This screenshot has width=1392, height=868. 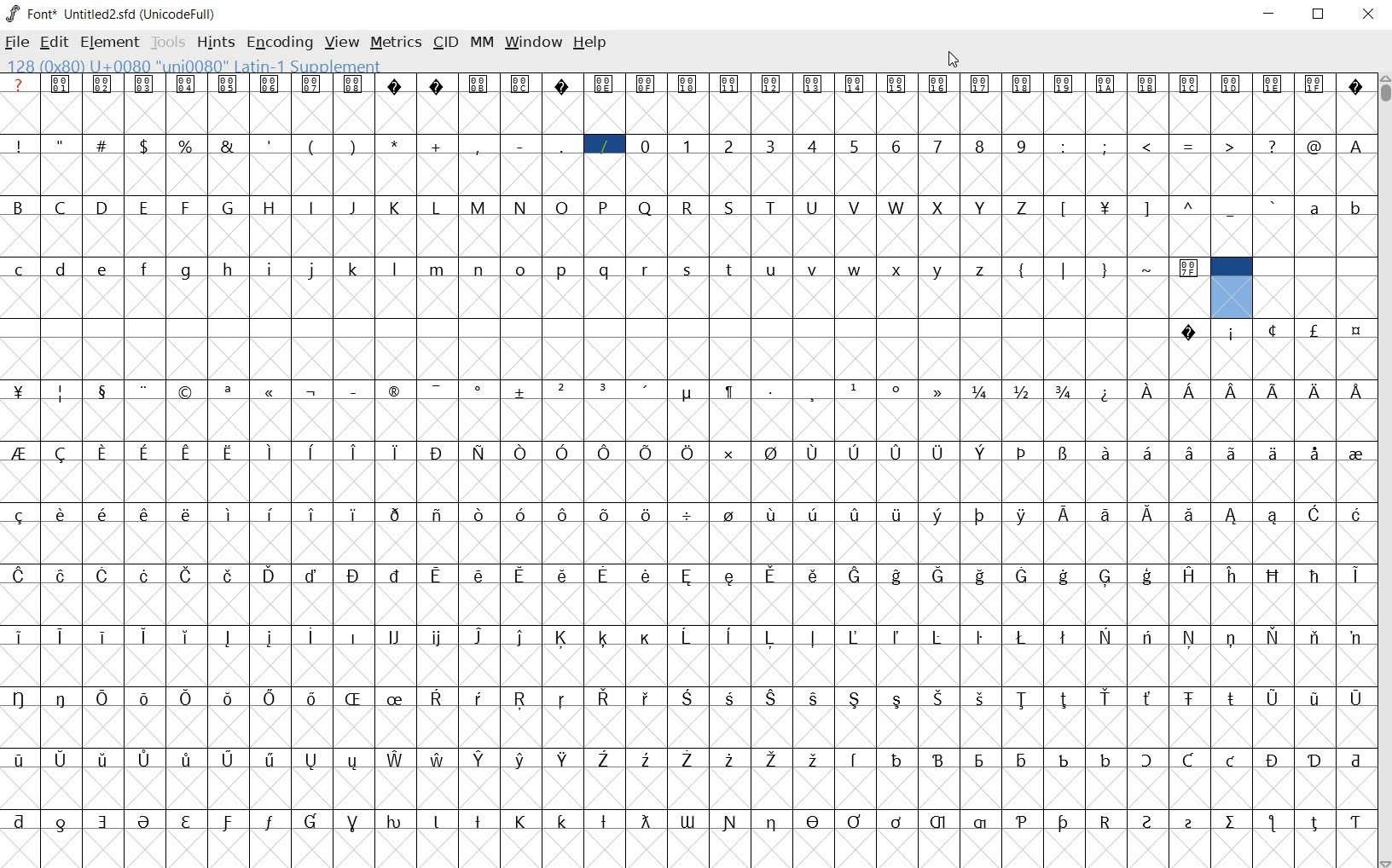 What do you see at coordinates (523, 207) in the screenshot?
I see `N` at bounding box center [523, 207].